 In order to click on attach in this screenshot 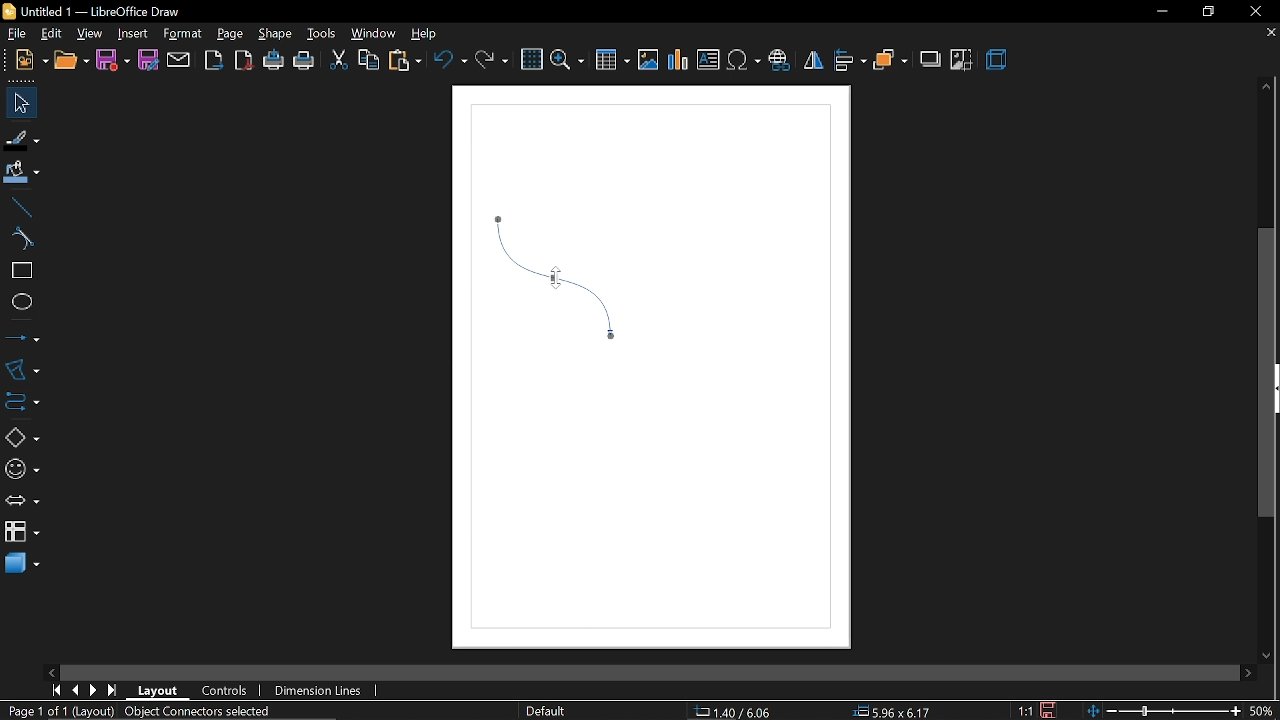, I will do `click(178, 60)`.